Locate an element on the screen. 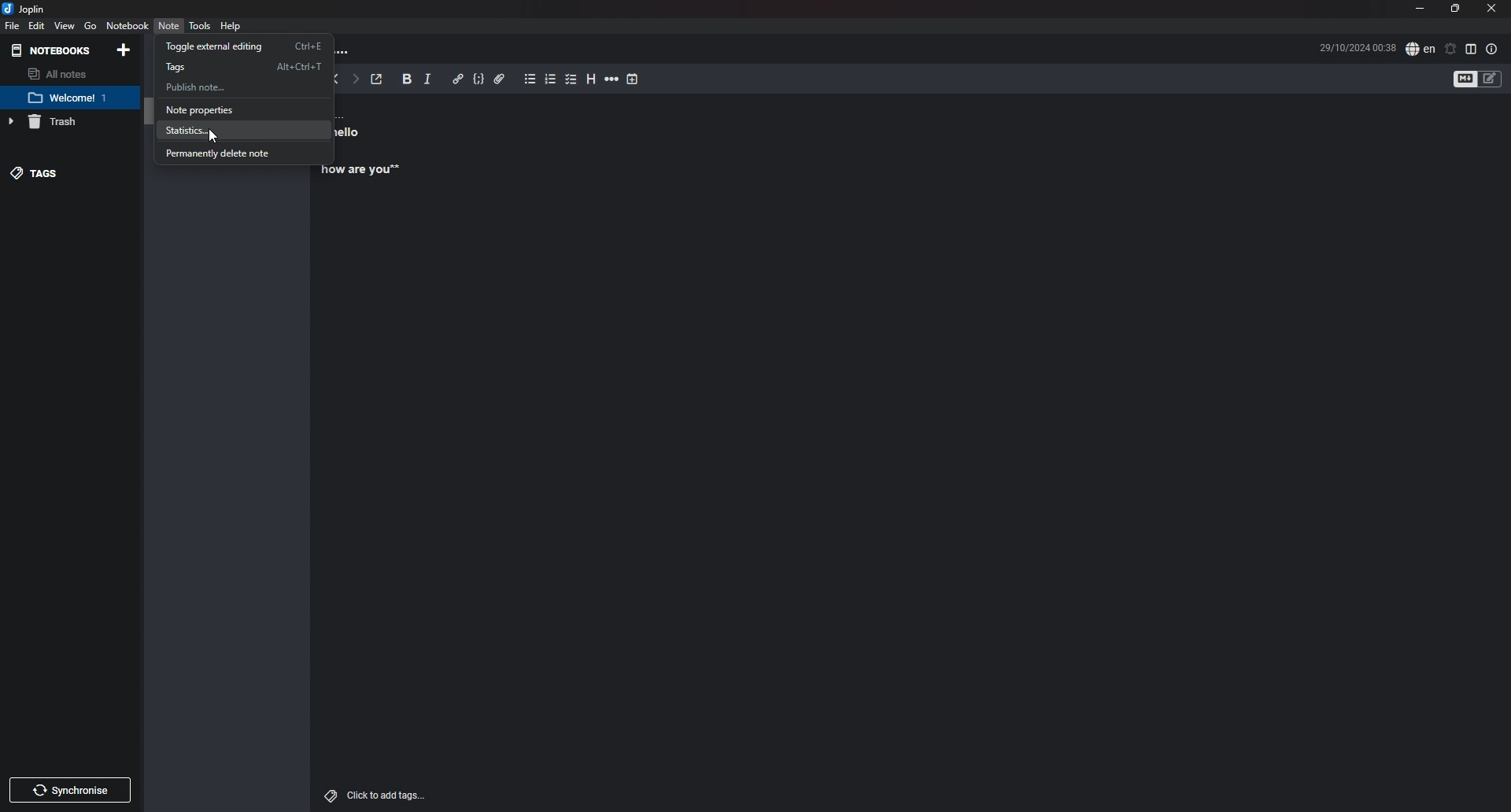 The image size is (1511, 812). Italic is located at coordinates (429, 80).